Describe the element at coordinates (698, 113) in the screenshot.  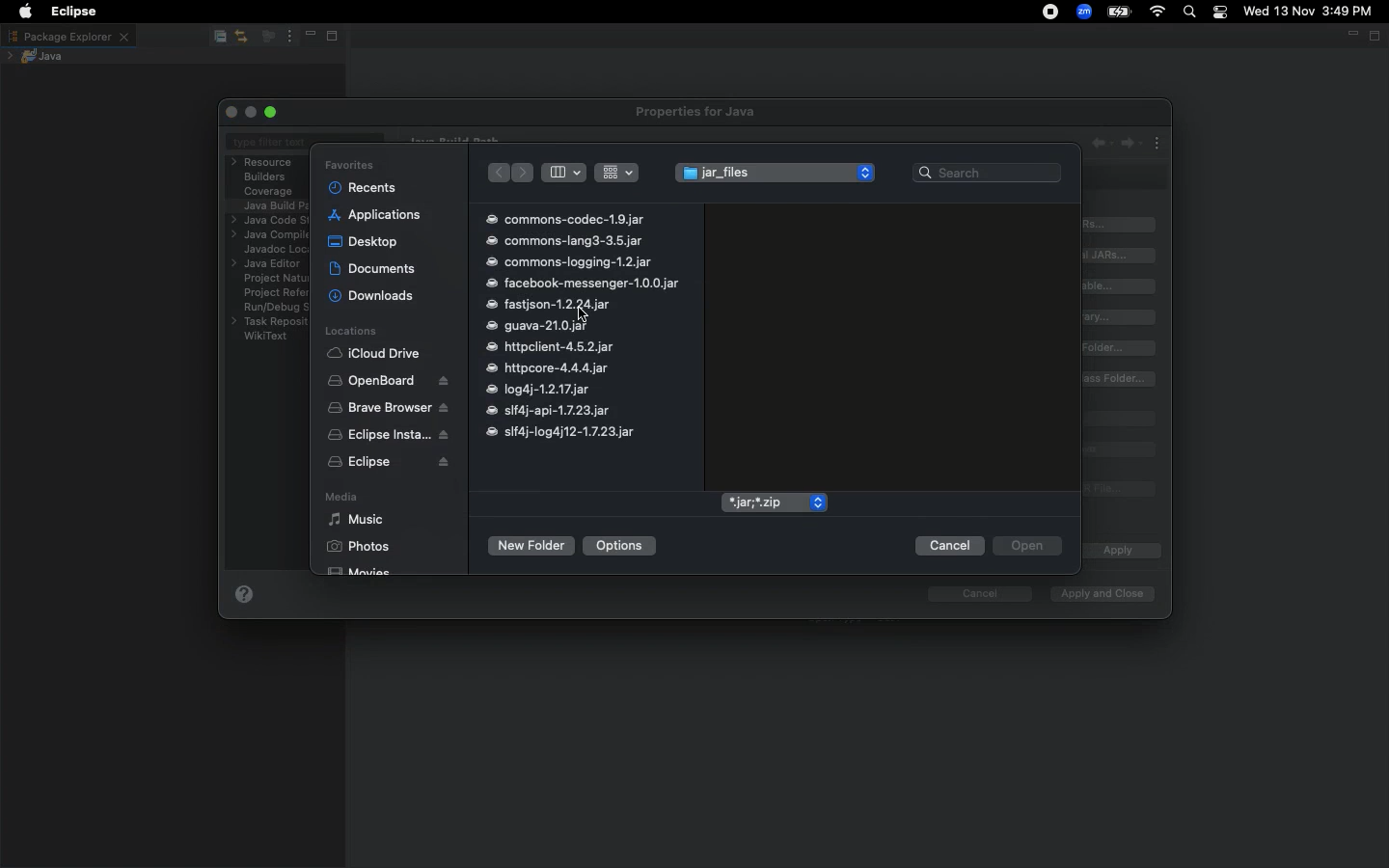
I see `Properties for java` at that location.